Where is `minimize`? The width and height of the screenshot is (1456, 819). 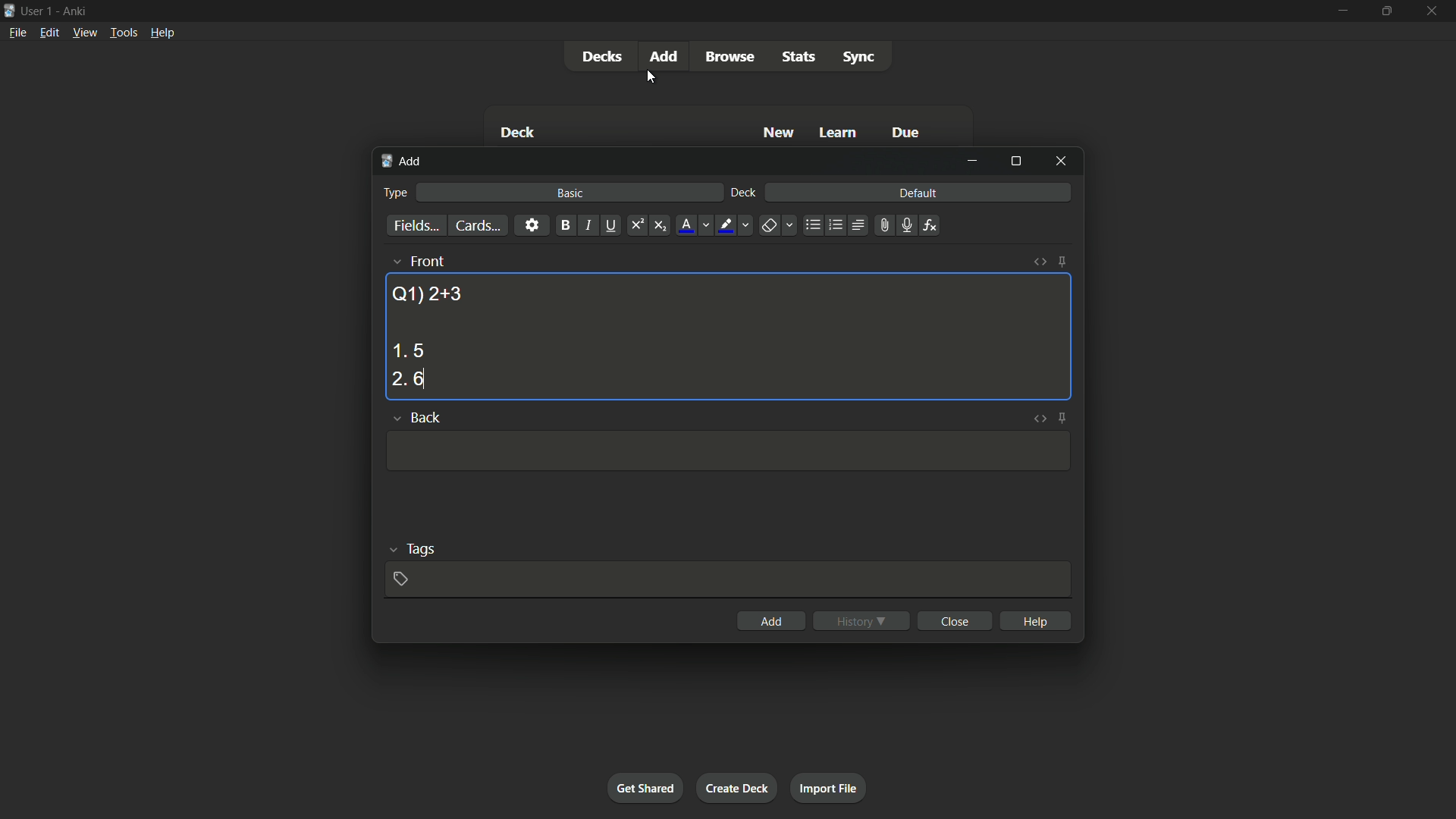
minimize is located at coordinates (1341, 10).